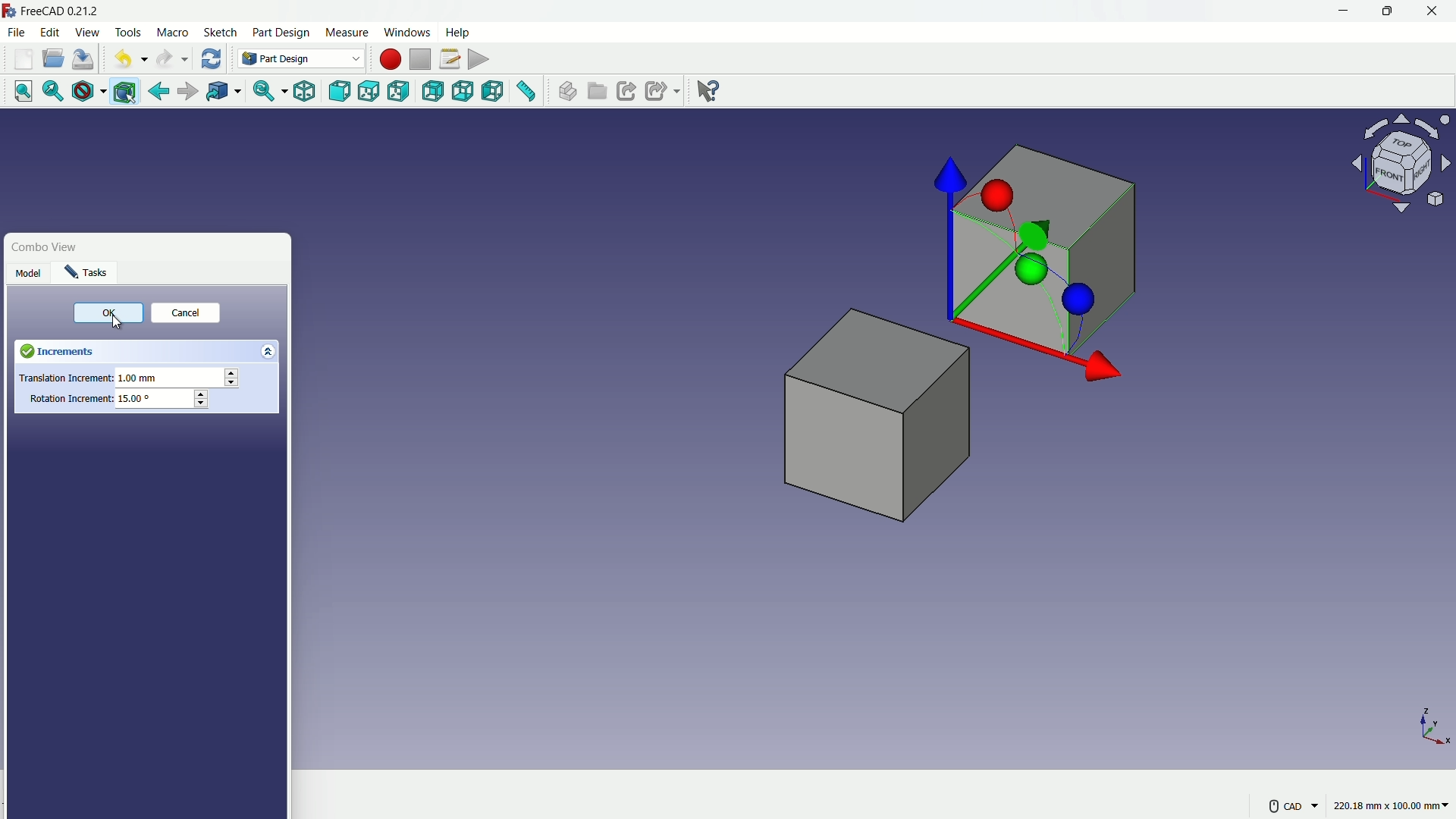 The height and width of the screenshot is (819, 1456). I want to click on file, so click(16, 31).